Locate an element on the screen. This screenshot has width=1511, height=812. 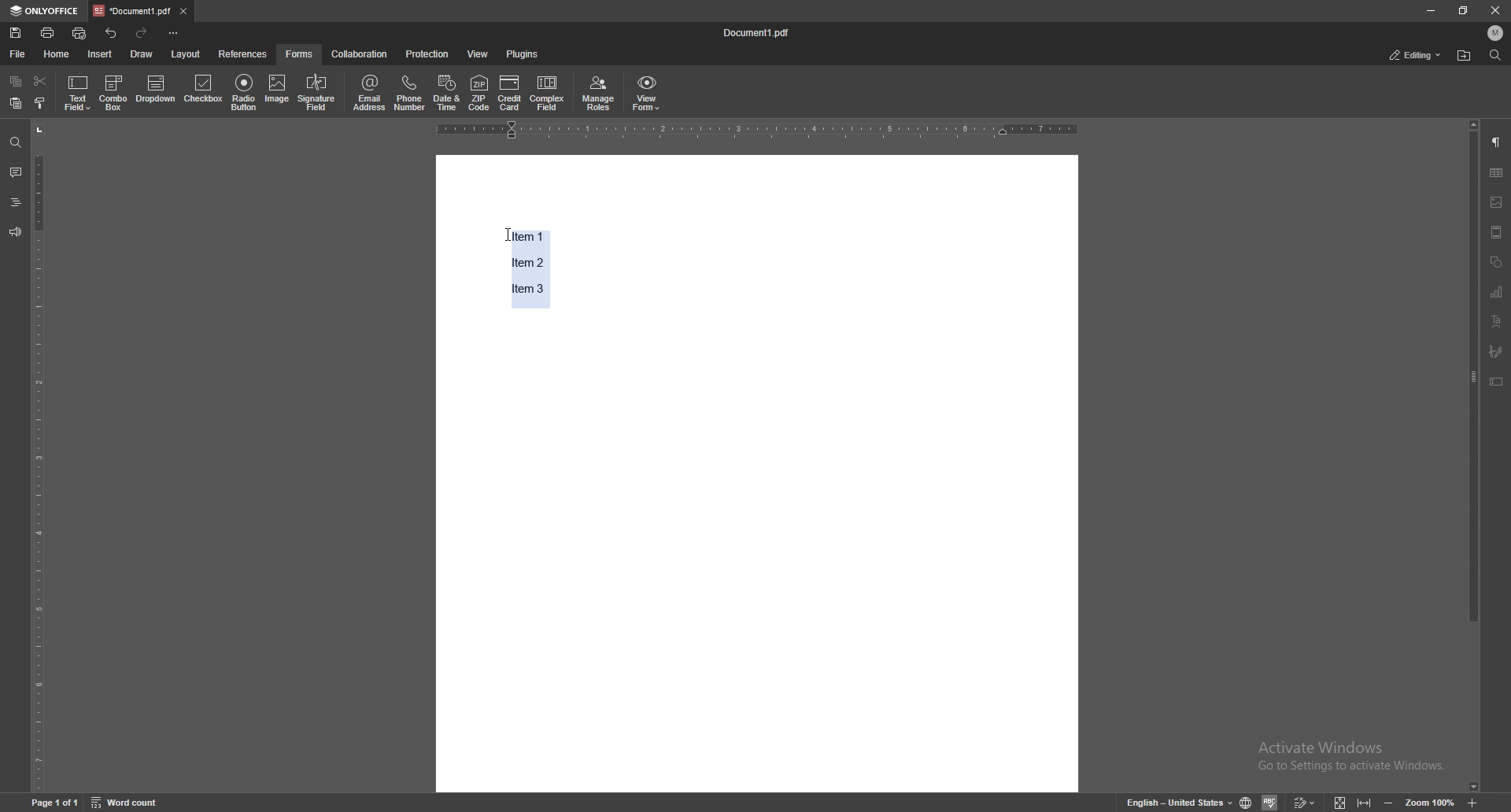
text art is located at coordinates (1498, 322).